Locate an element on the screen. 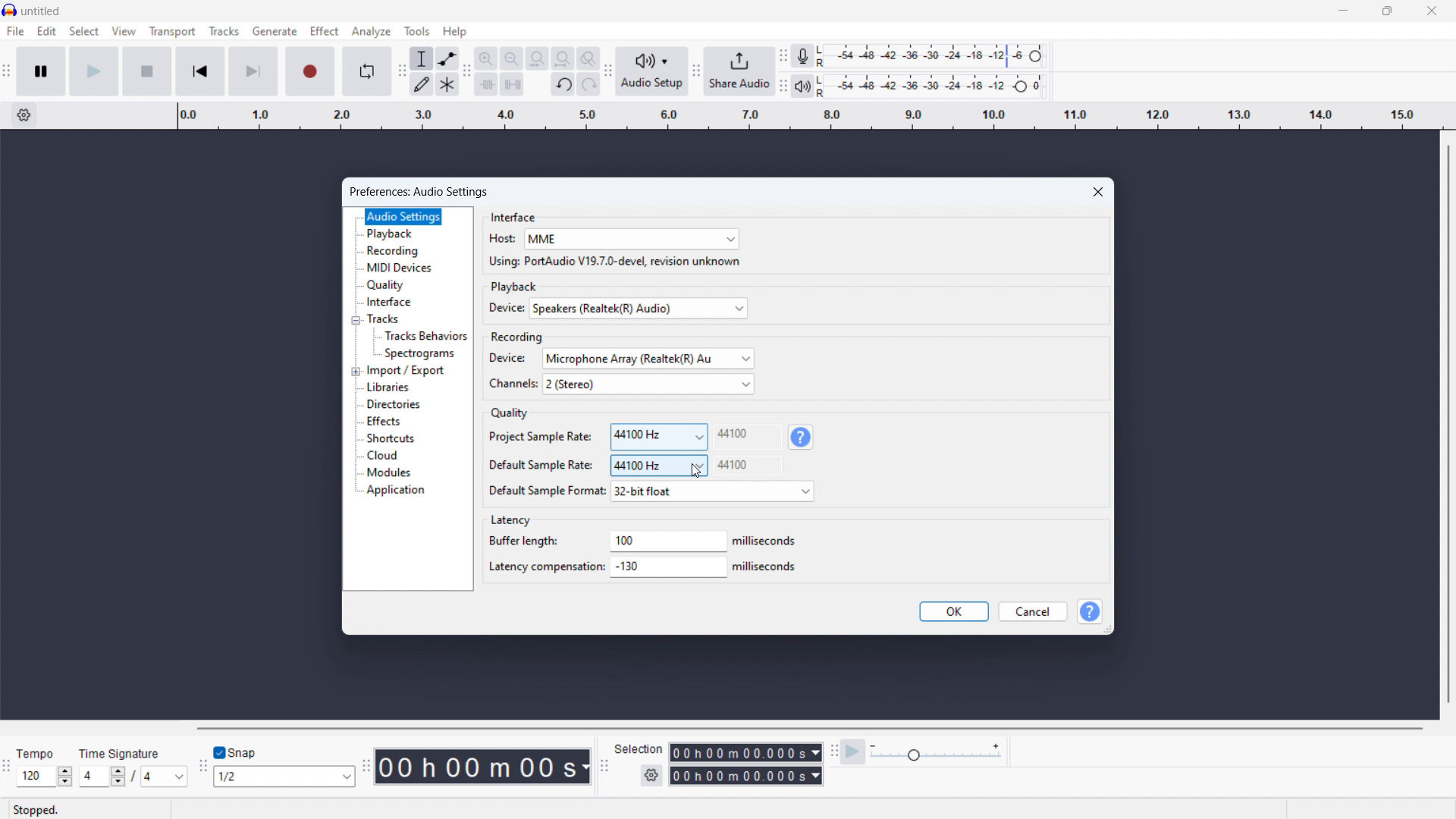 Image resolution: width=1456 pixels, height=819 pixels. collapse is located at coordinates (356, 320).